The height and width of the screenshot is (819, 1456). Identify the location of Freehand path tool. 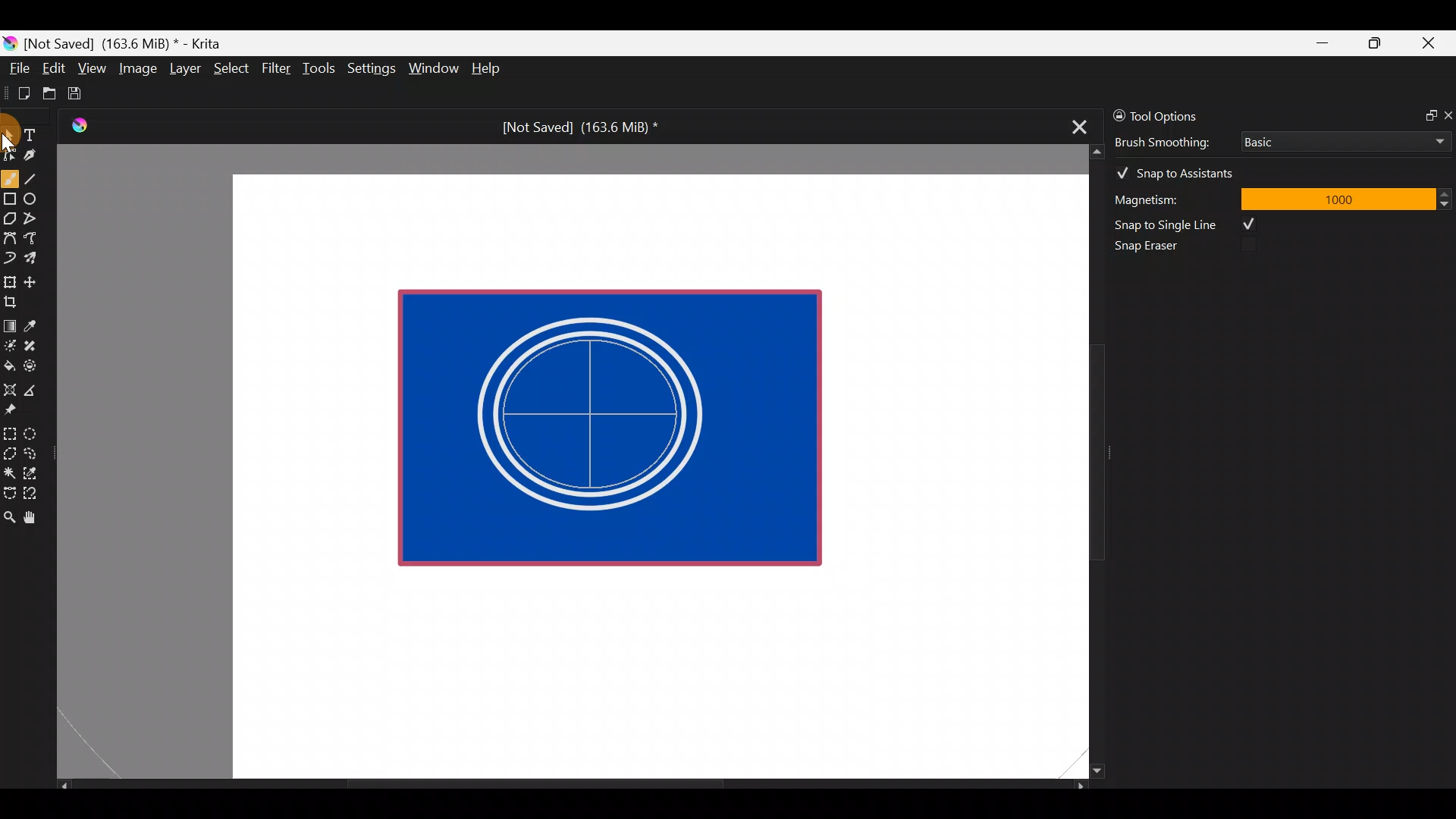
(38, 240).